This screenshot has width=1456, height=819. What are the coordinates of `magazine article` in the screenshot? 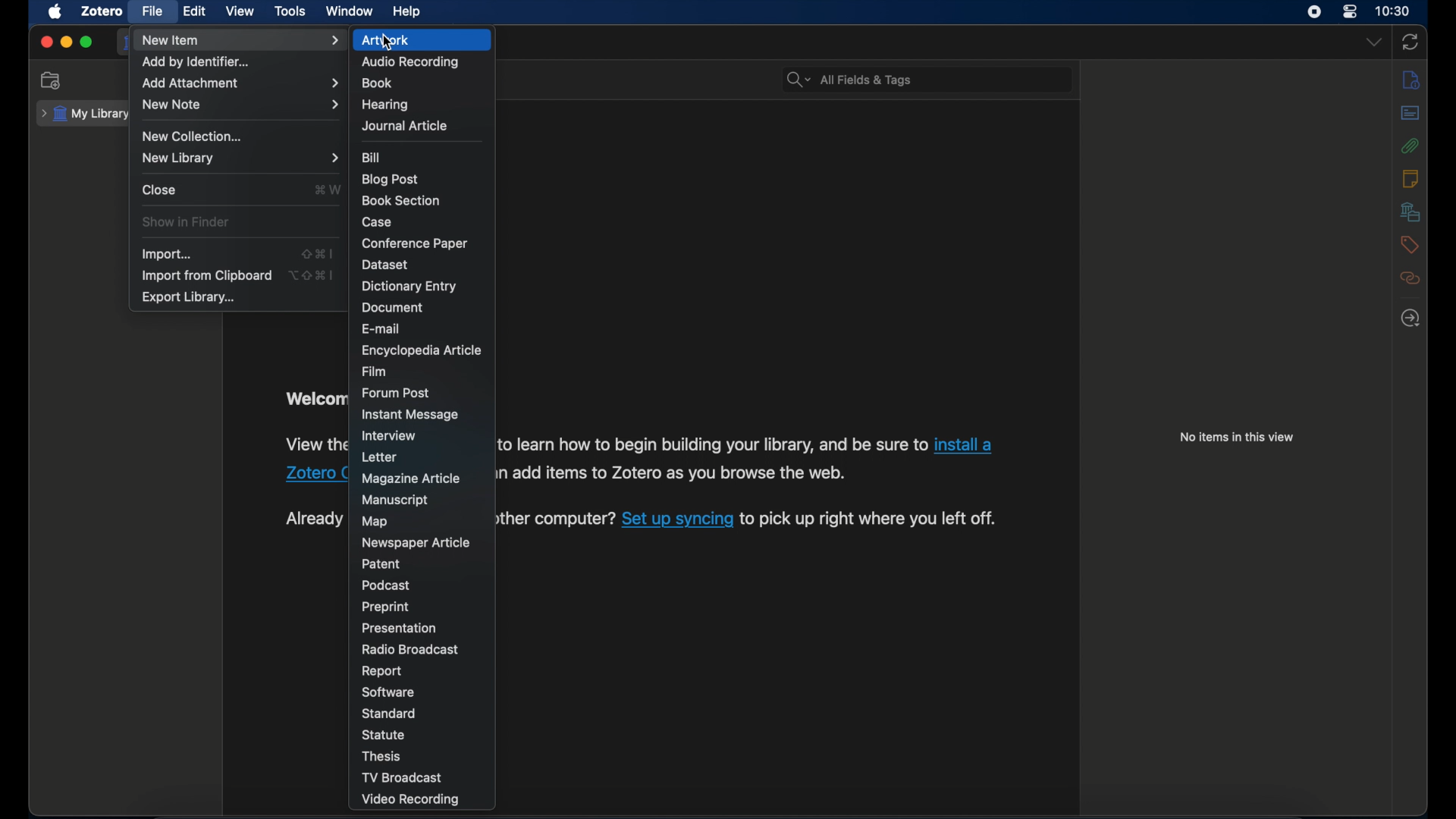 It's located at (409, 479).